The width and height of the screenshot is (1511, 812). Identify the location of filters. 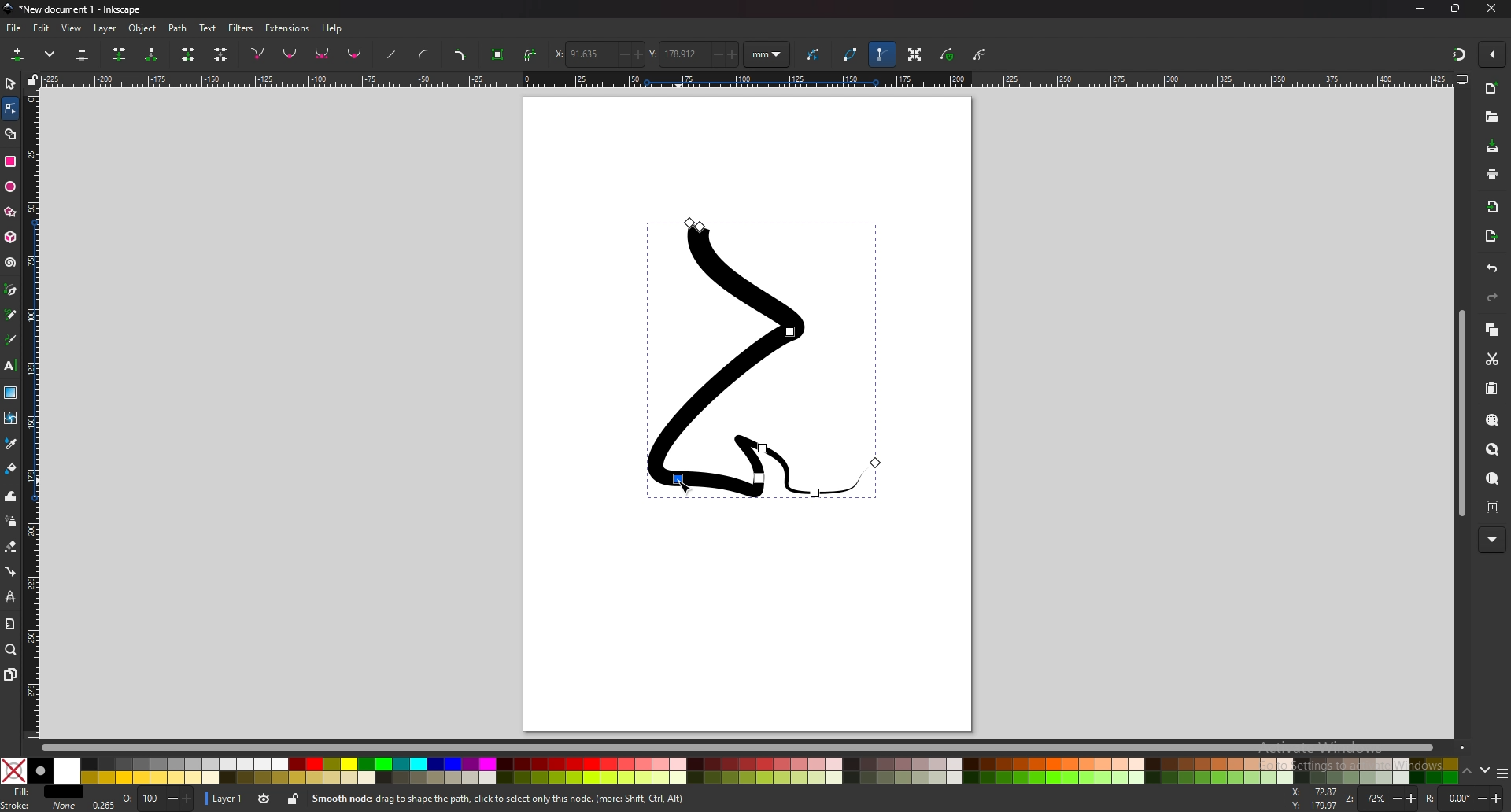
(241, 28).